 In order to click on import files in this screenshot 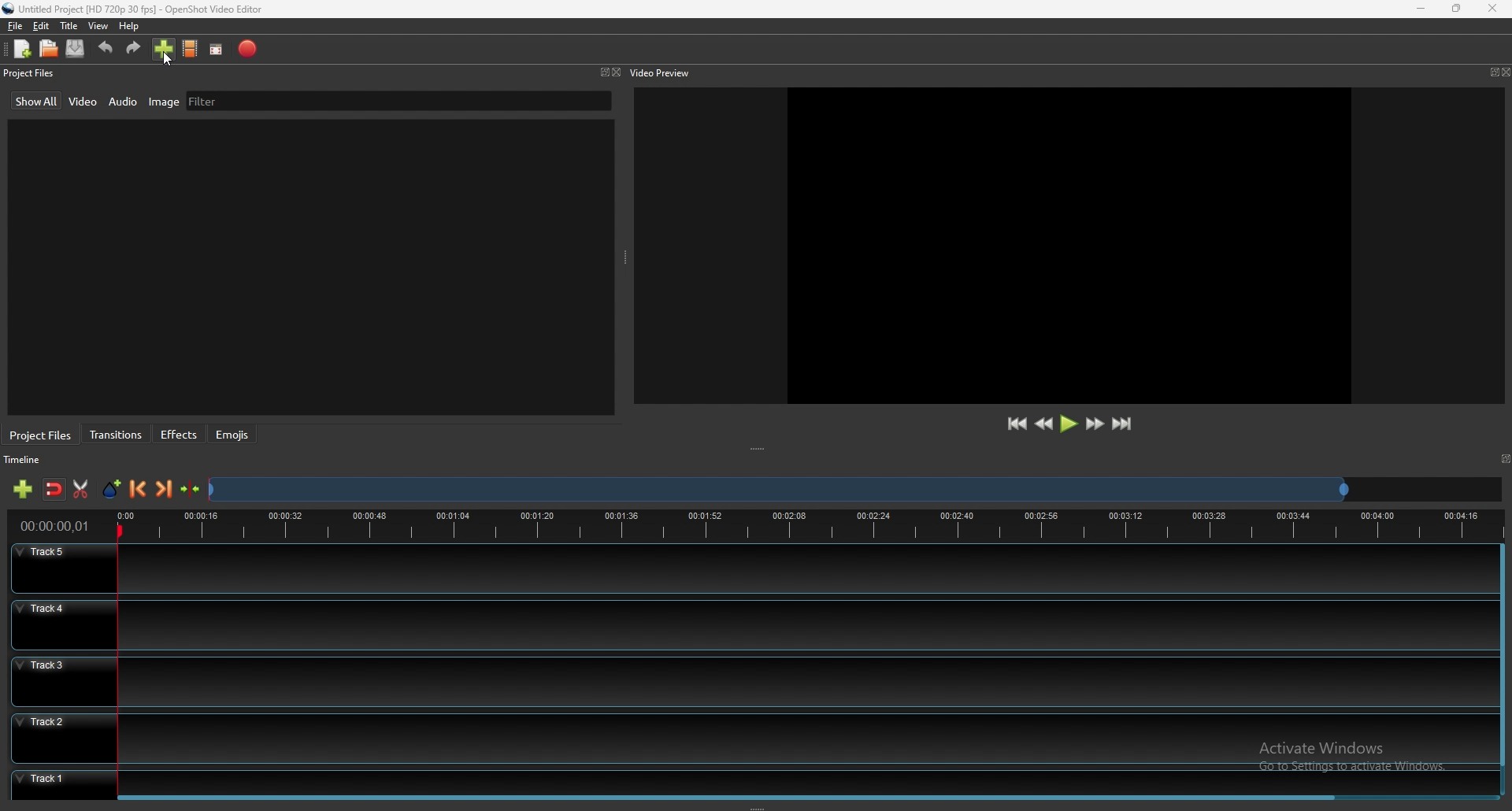, I will do `click(164, 49)`.